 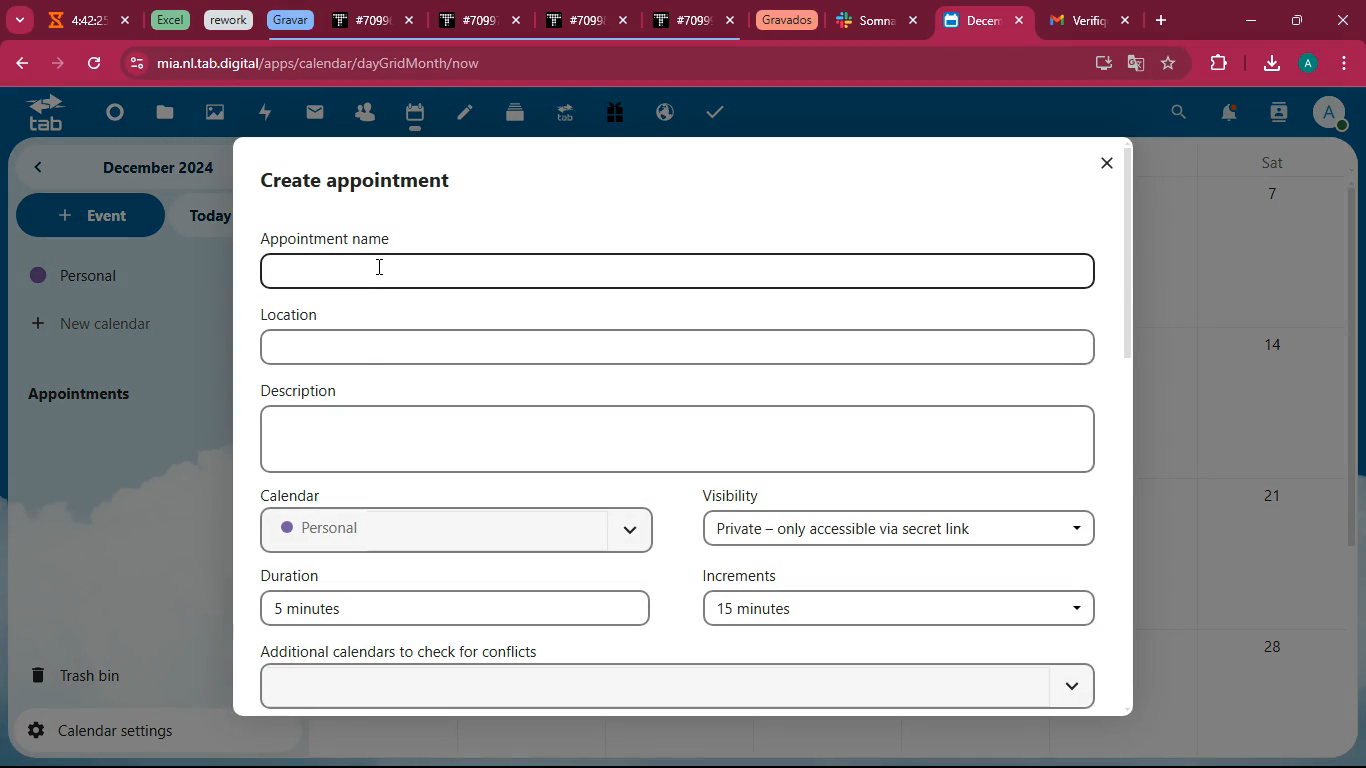 I want to click on scroll bar, so click(x=1132, y=253).